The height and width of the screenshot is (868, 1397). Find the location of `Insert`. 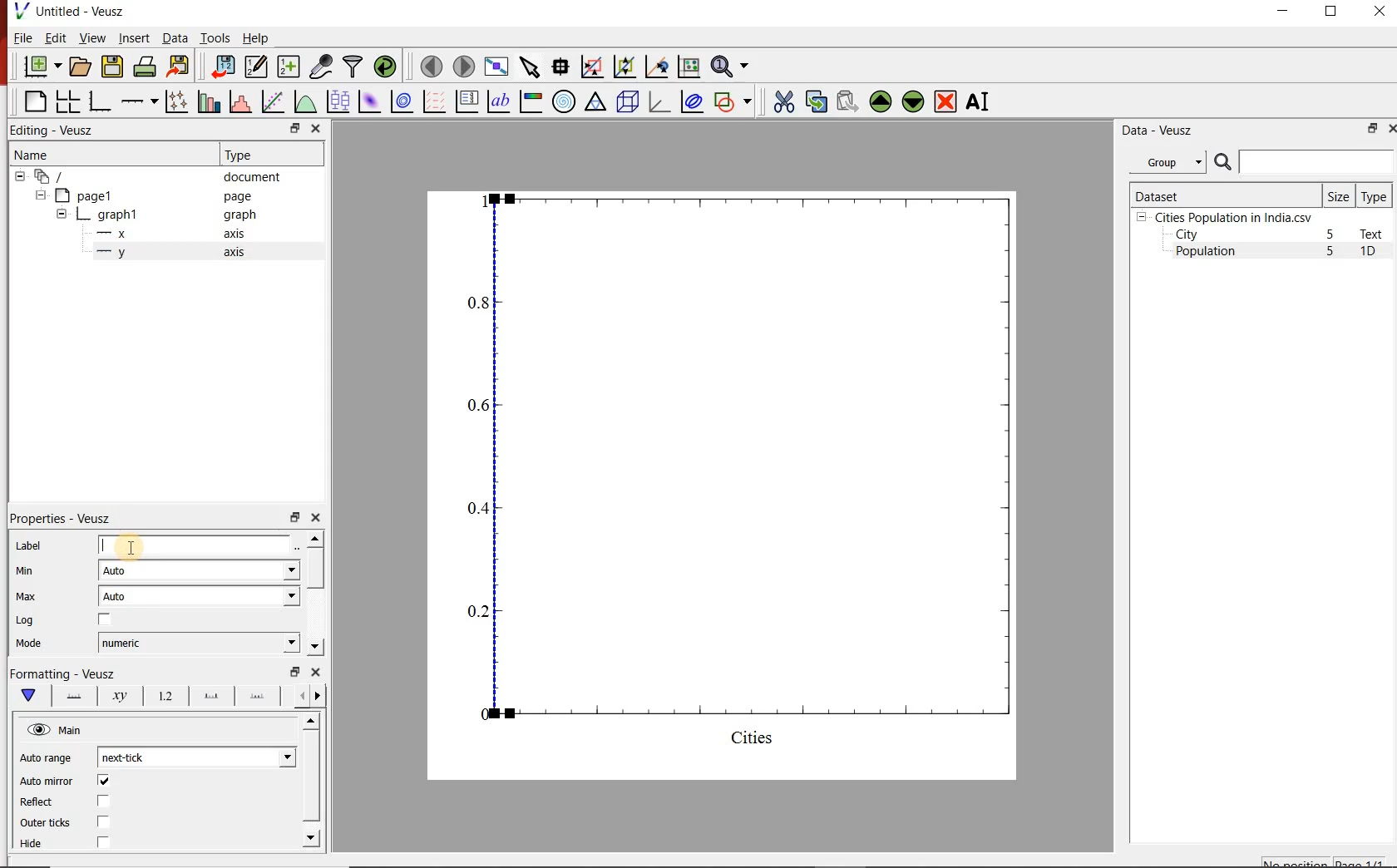

Insert is located at coordinates (133, 39).